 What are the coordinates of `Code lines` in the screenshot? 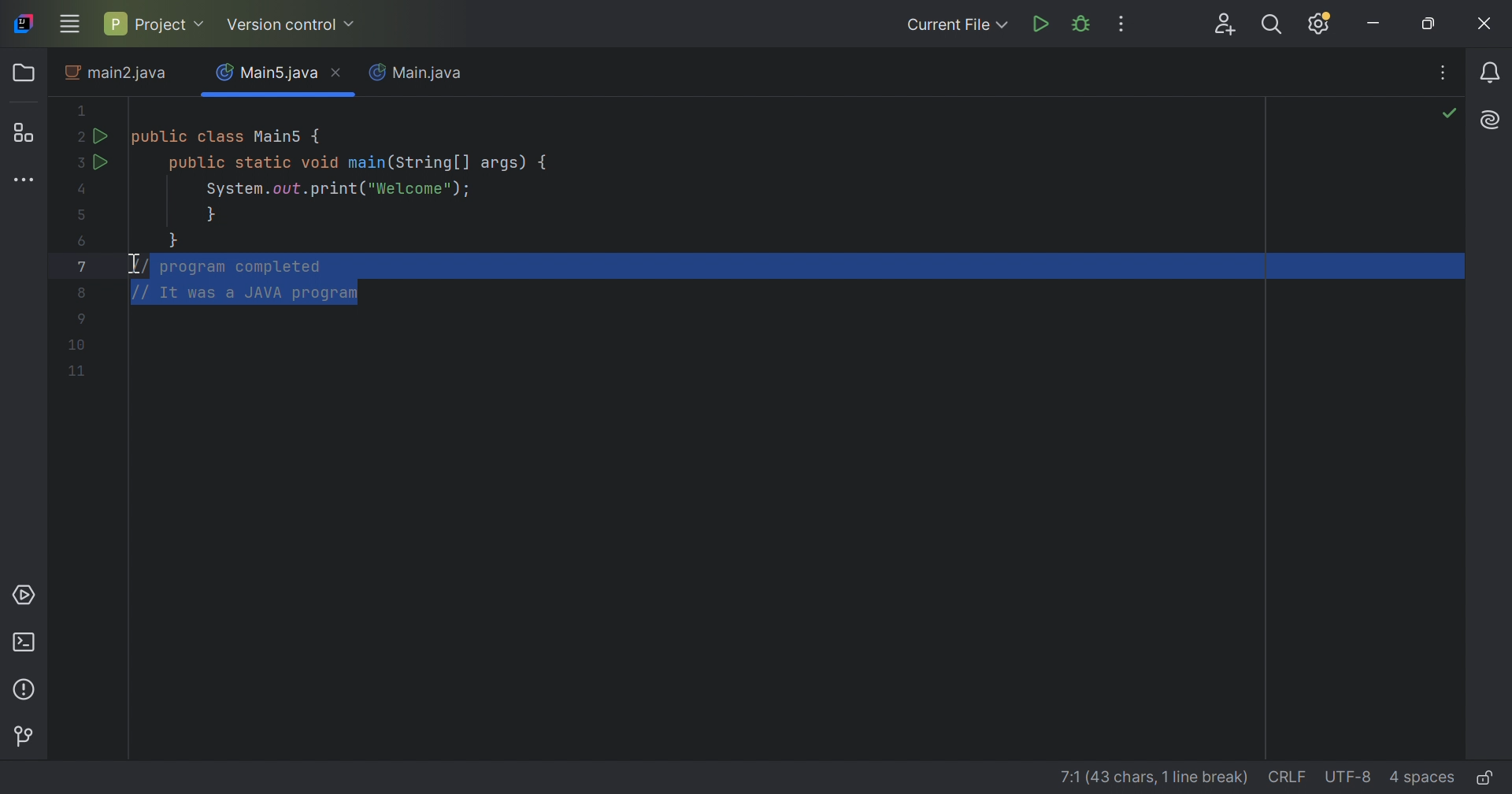 It's located at (76, 346).